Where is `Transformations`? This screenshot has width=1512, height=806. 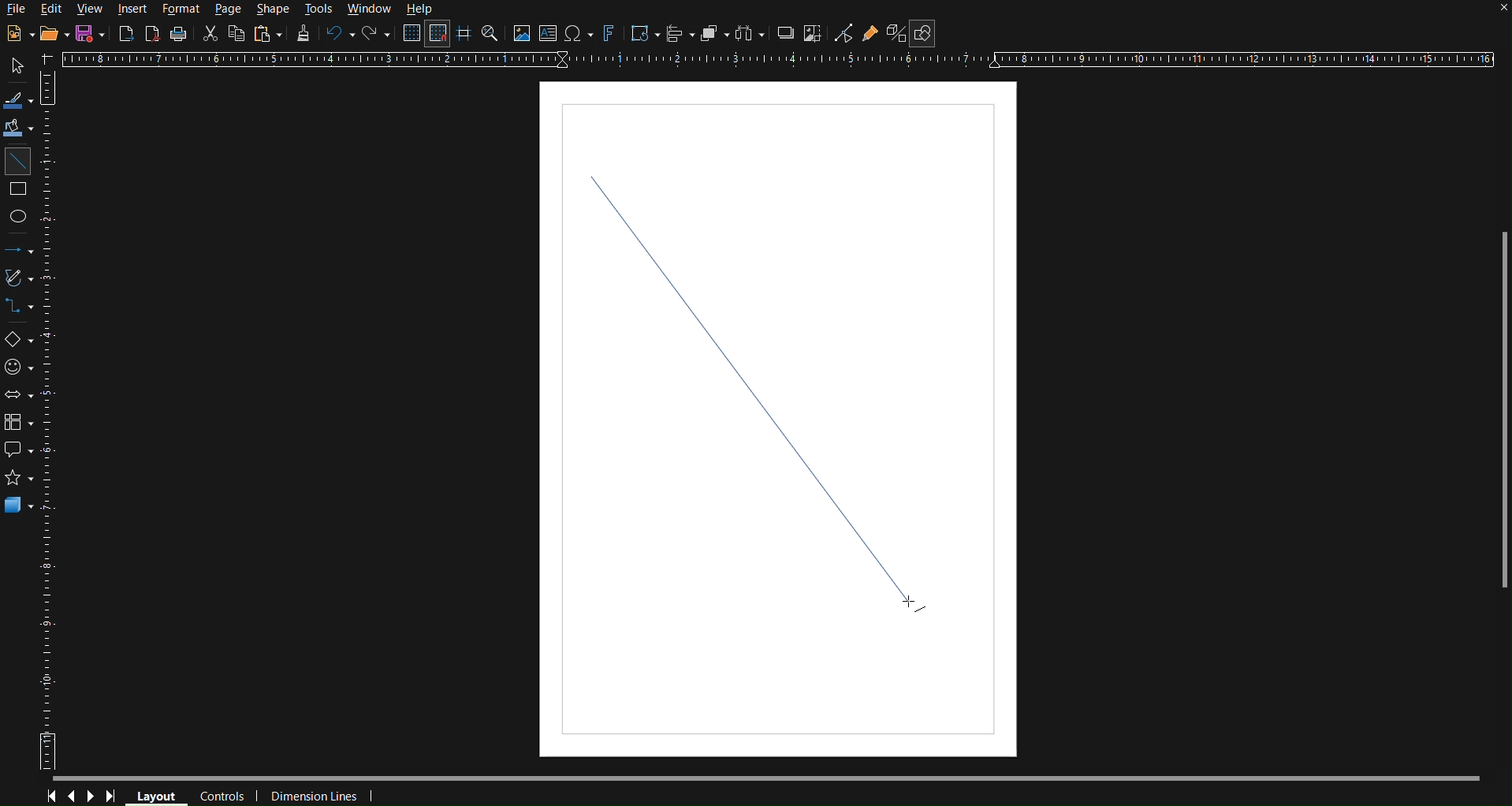 Transformations is located at coordinates (643, 34).